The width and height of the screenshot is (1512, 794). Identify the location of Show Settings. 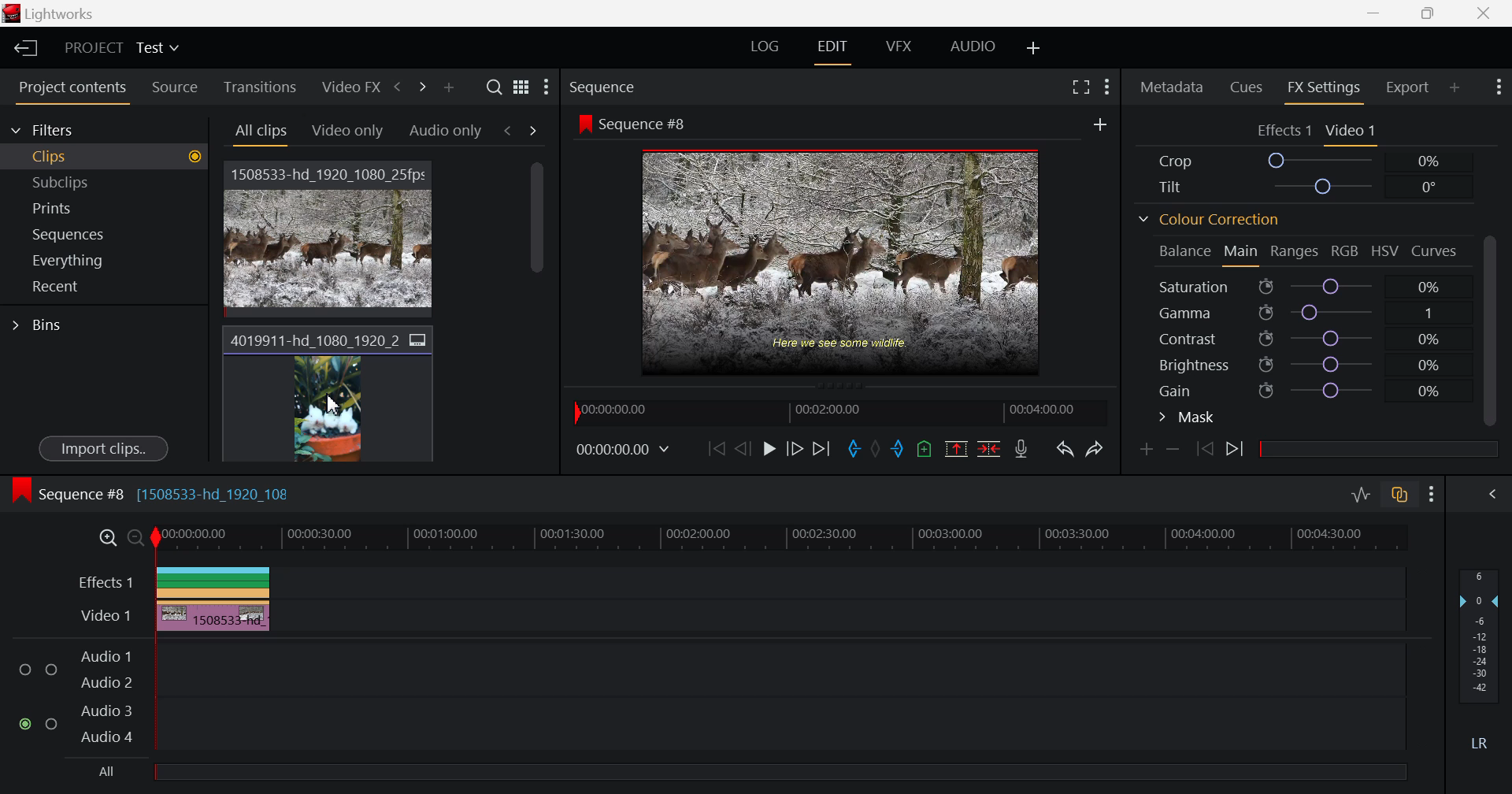
(1111, 83).